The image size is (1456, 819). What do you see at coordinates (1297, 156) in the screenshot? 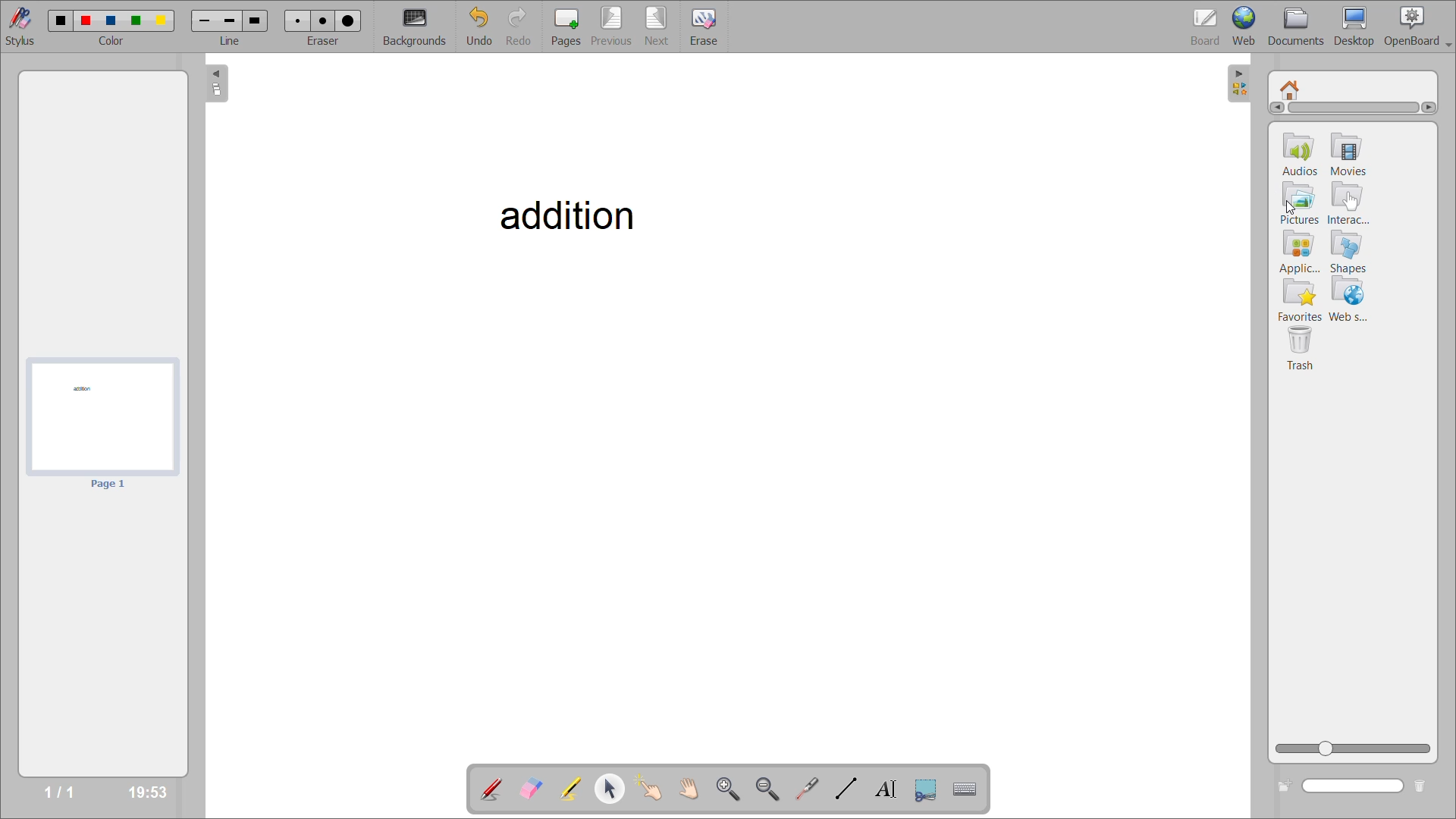
I see `audios` at bounding box center [1297, 156].